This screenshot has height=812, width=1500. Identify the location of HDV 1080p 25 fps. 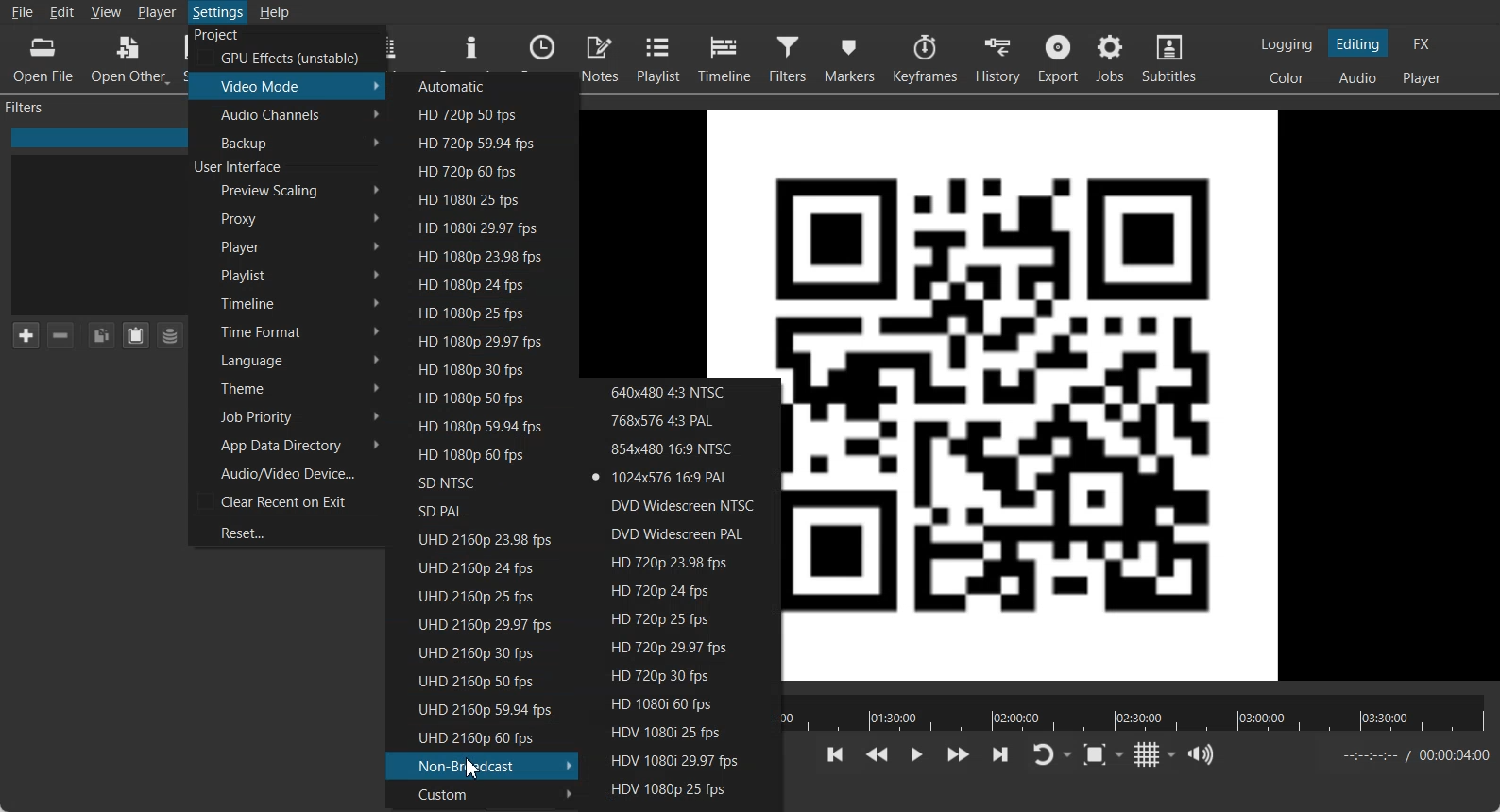
(679, 788).